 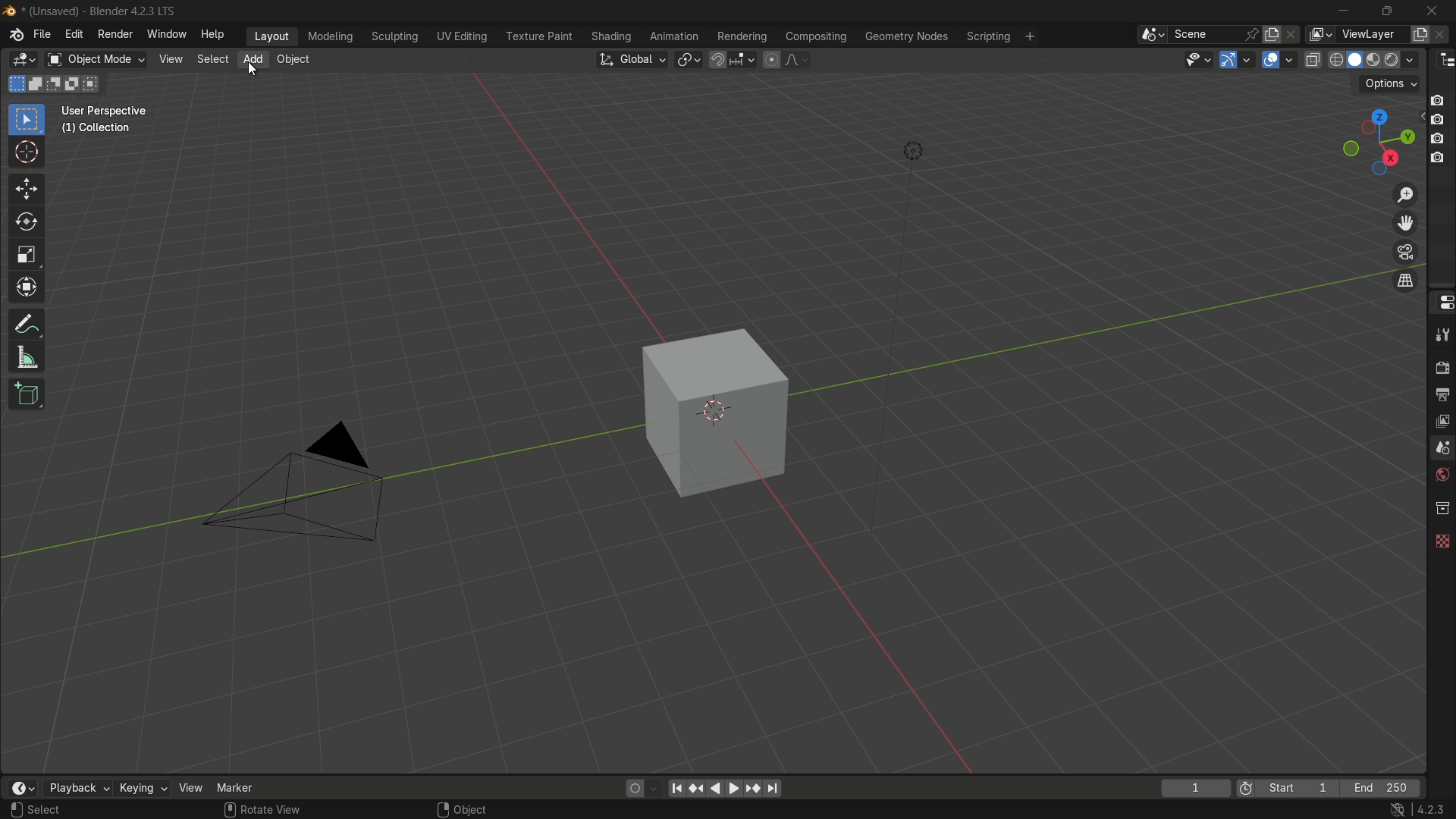 What do you see at coordinates (1151, 35) in the screenshot?
I see `browse scenes` at bounding box center [1151, 35].